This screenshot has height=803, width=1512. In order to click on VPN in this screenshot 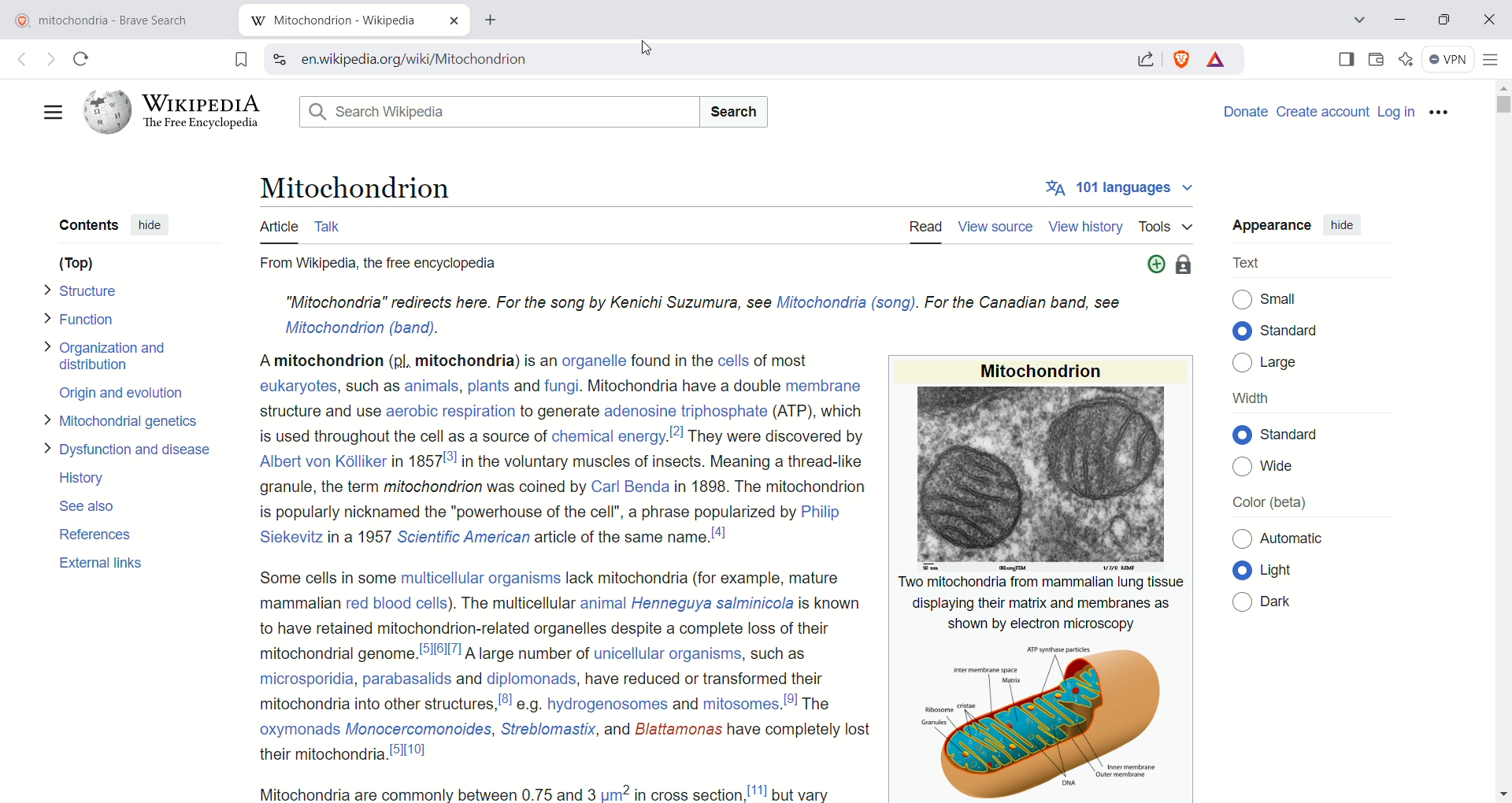, I will do `click(1448, 60)`.